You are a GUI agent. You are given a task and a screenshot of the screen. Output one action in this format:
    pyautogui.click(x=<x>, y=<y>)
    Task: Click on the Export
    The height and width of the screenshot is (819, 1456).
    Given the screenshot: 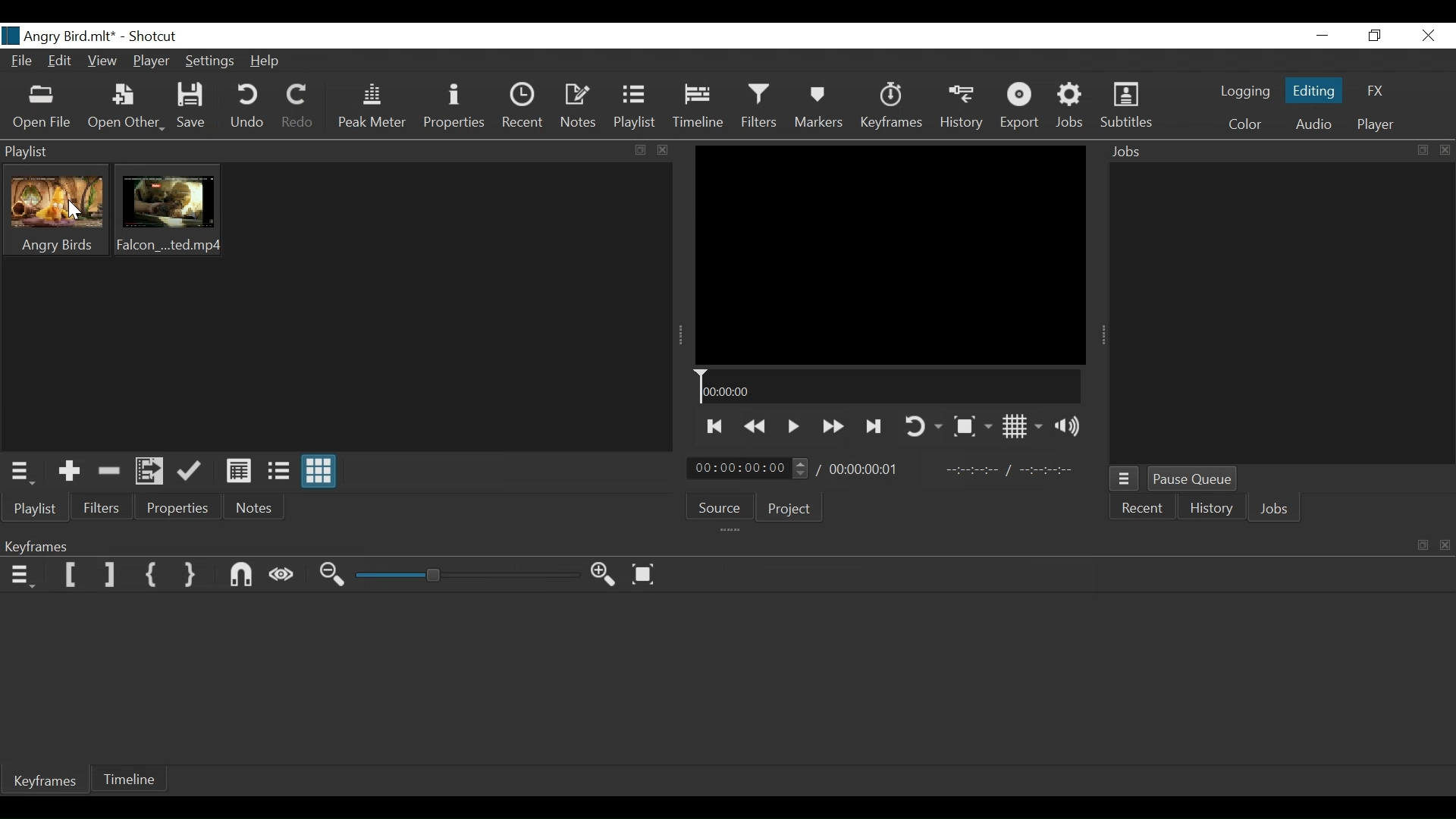 What is the action you would take?
    pyautogui.click(x=1023, y=108)
    